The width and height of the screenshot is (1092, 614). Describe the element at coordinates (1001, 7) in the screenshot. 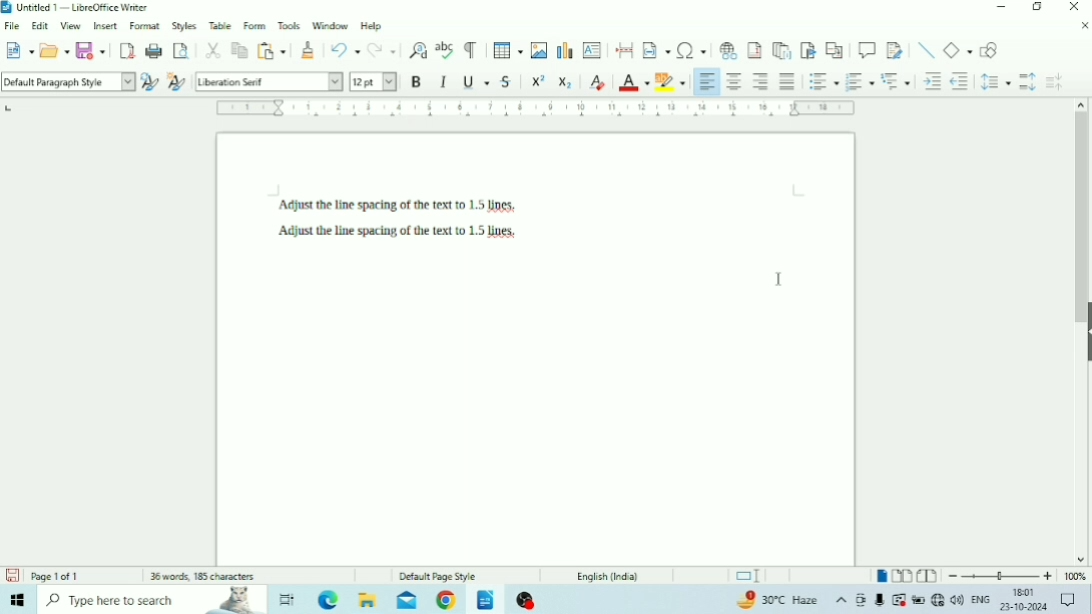

I see `Minimize` at that location.